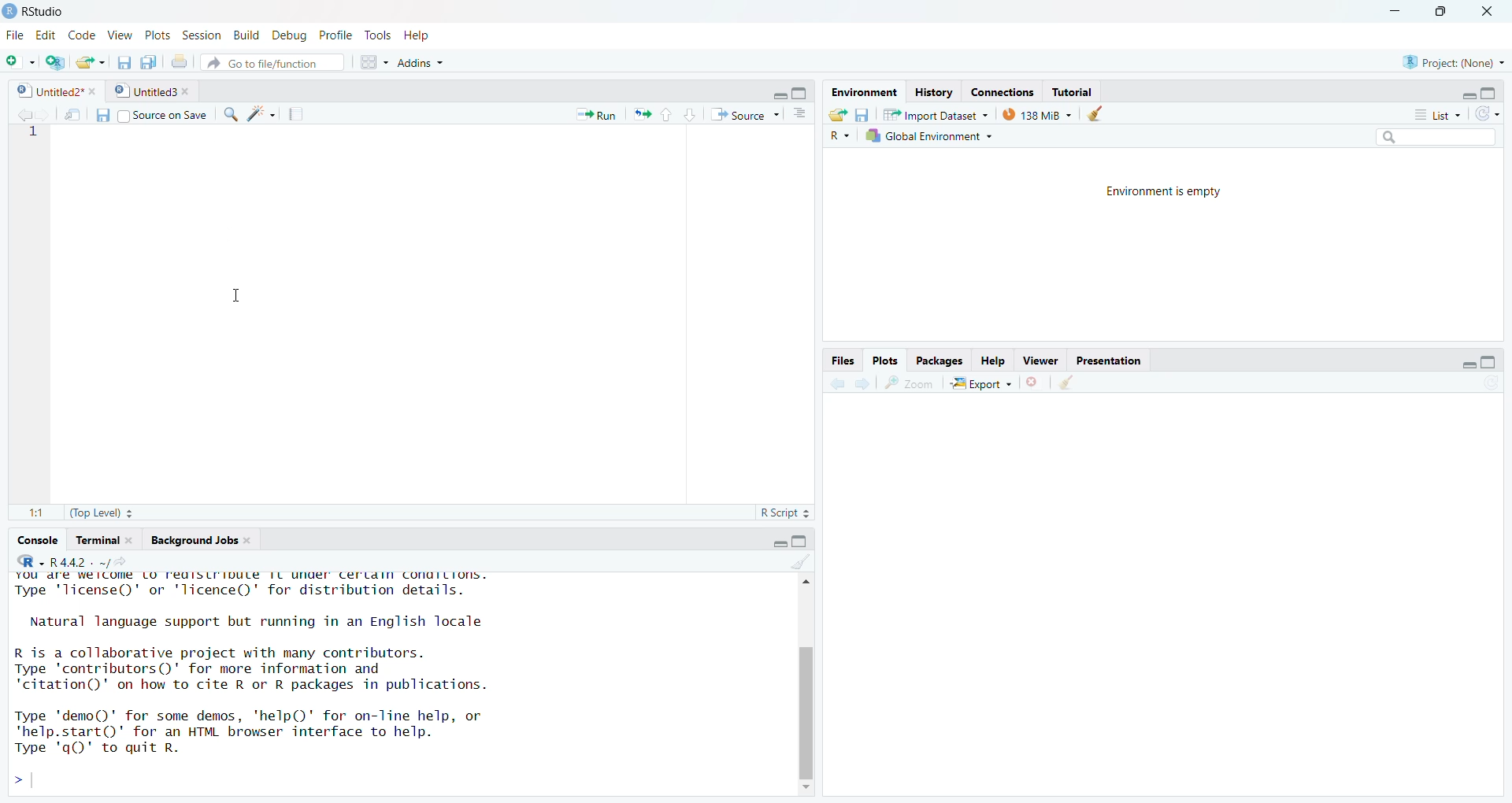 This screenshot has width=1512, height=803. Describe the element at coordinates (1039, 359) in the screenshot. I see `Viewer` at that location.